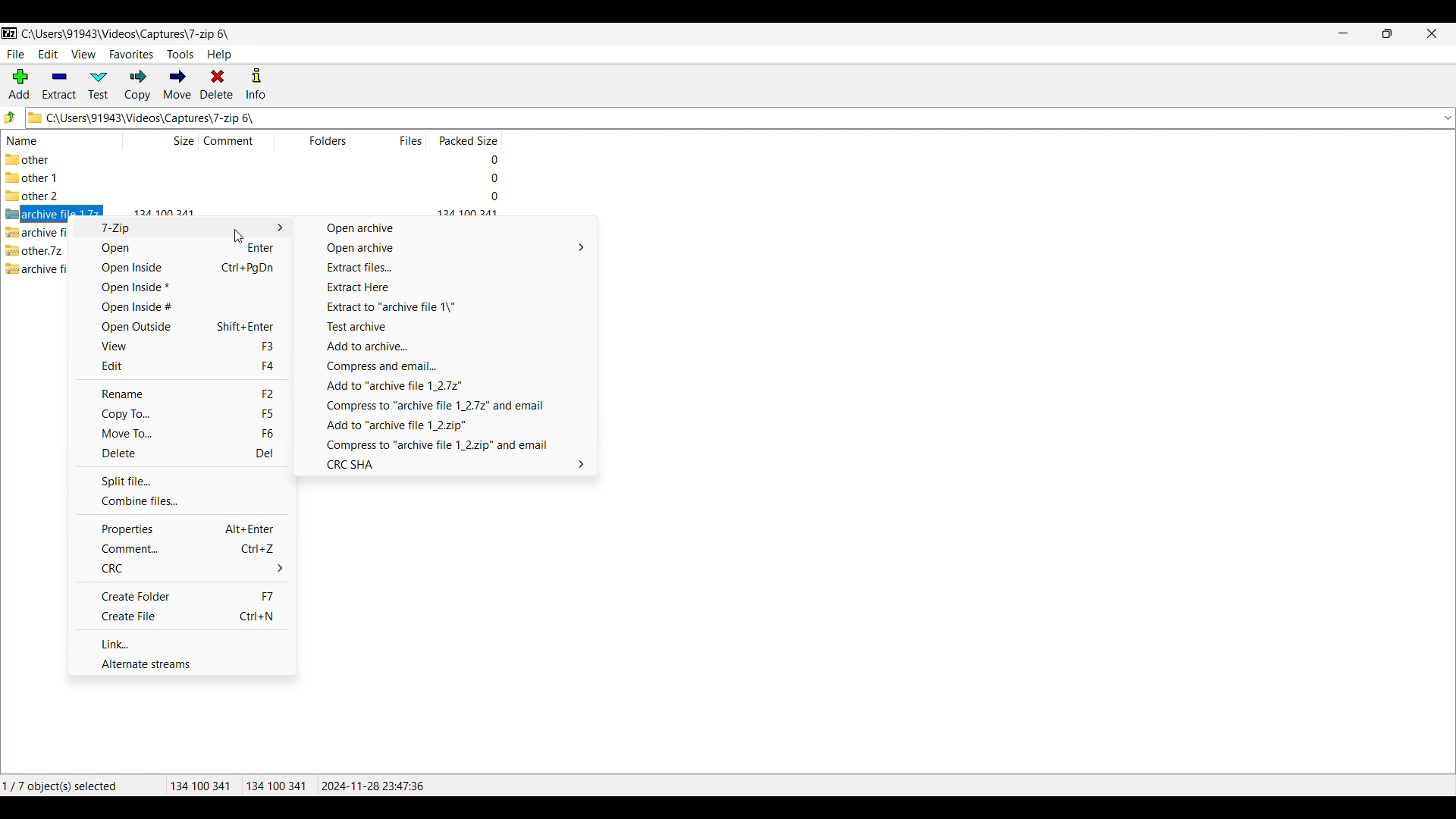  I want to click on Copy to, so click(180, 414).